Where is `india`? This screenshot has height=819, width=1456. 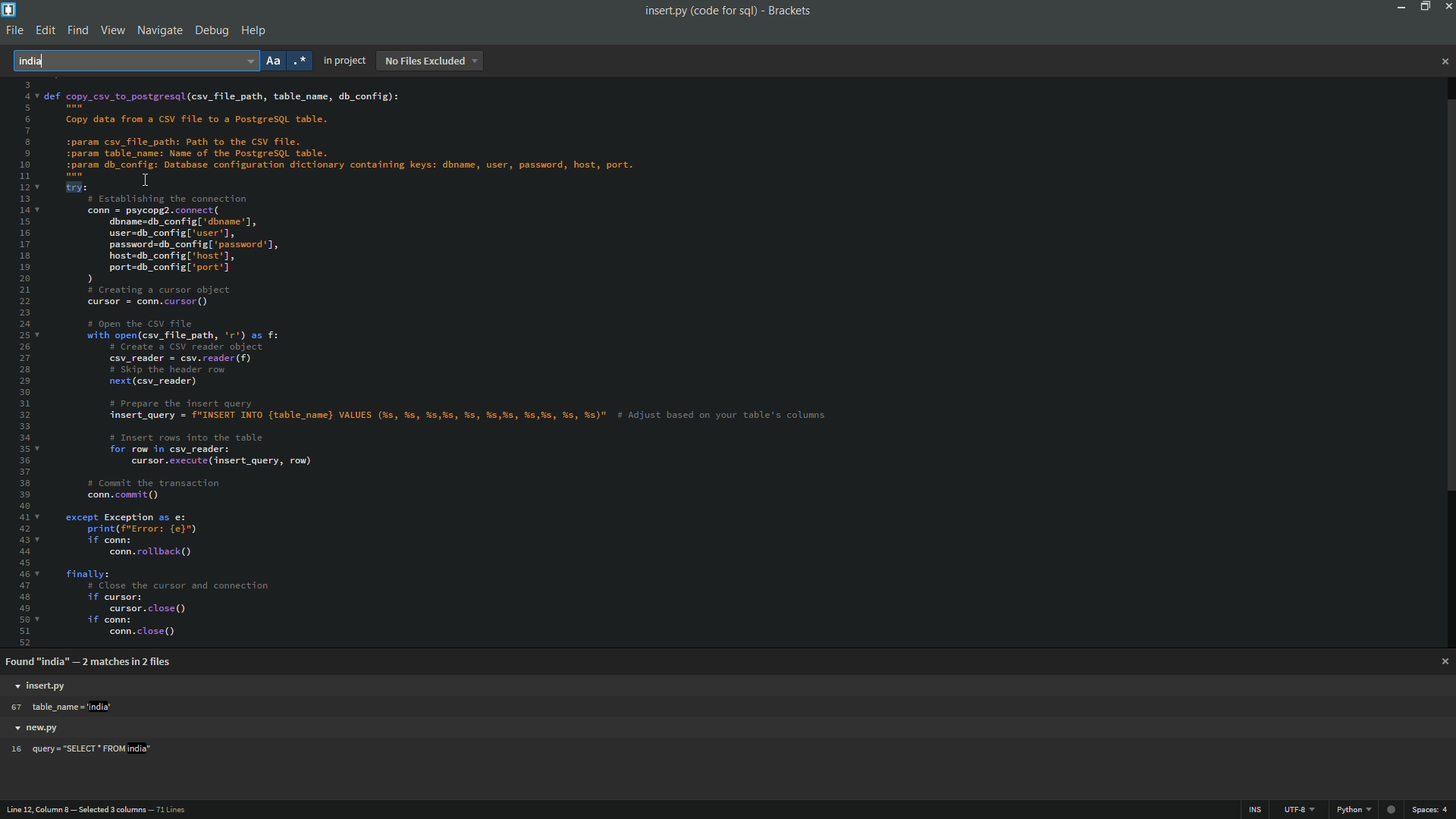
india is located at coordinates (39, 60).